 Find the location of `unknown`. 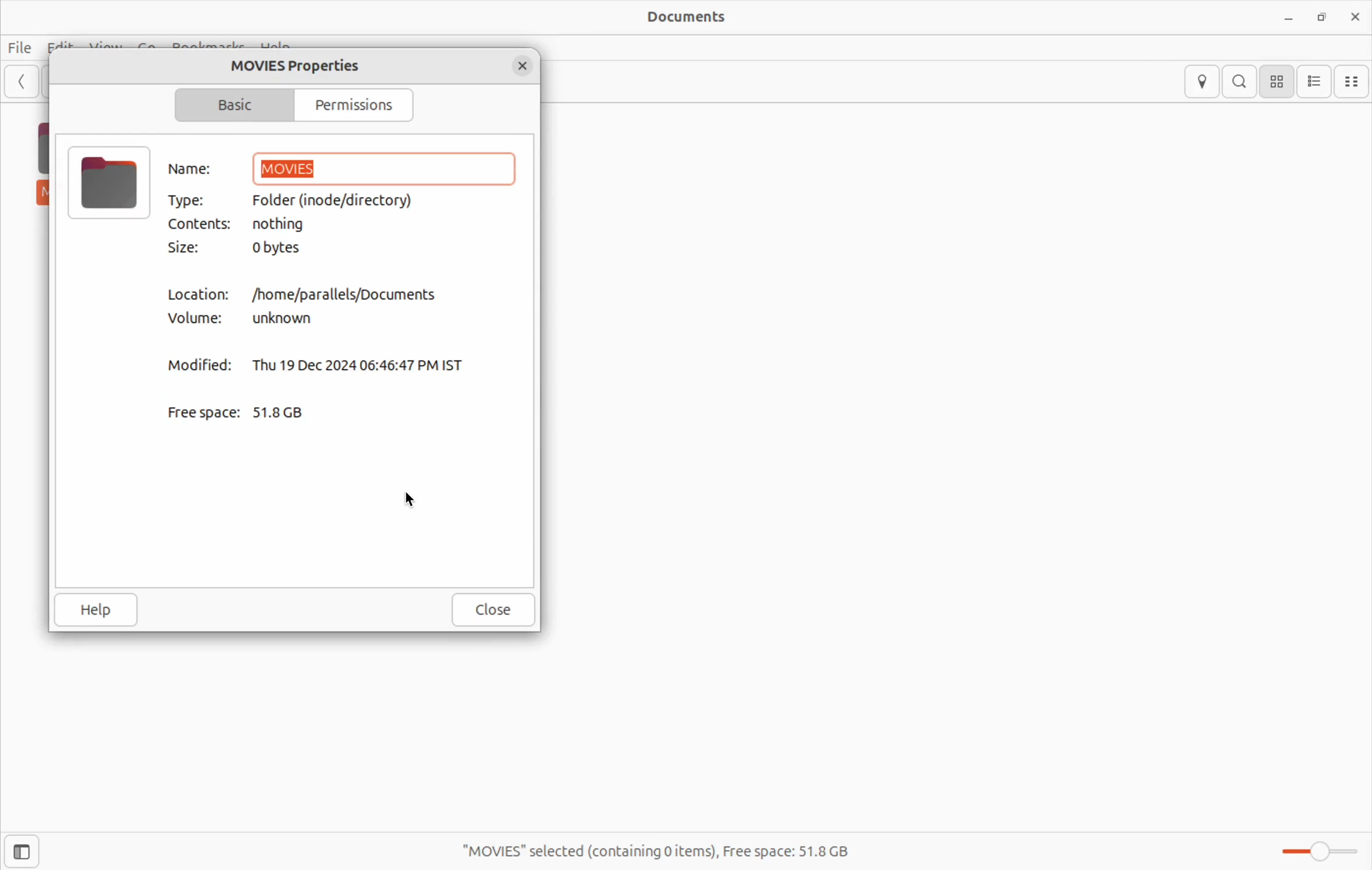

unknown is located at coordinates (289, 320).